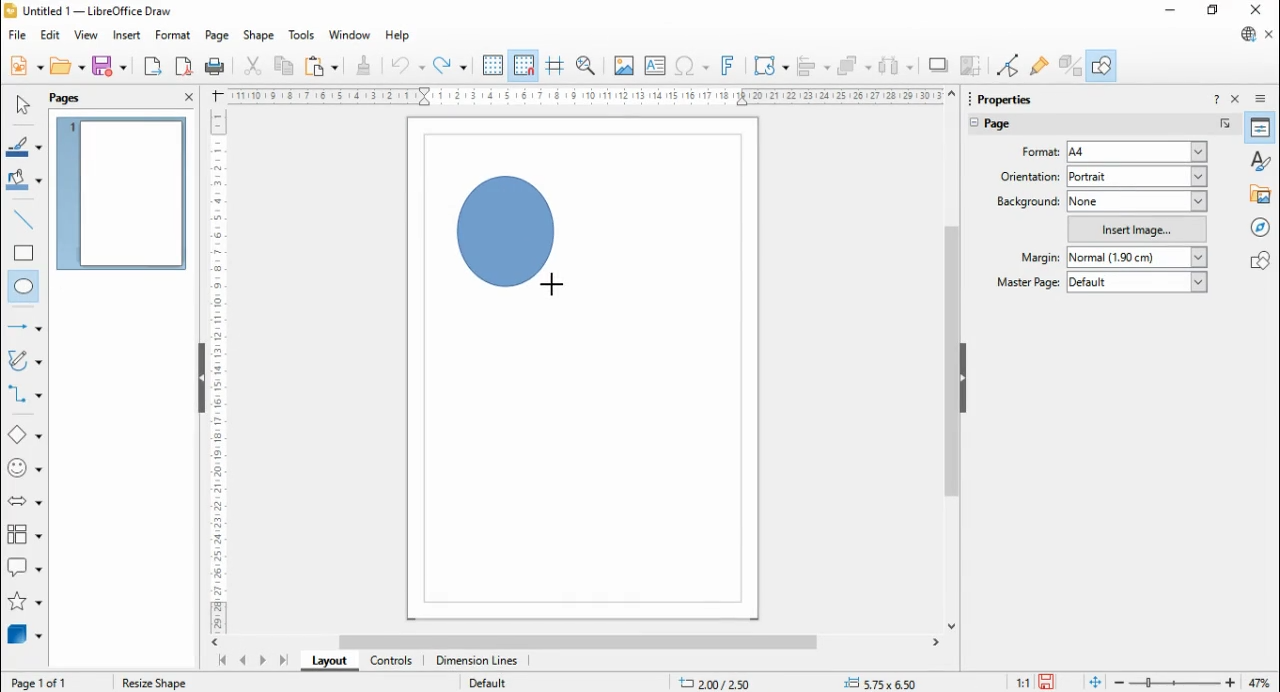 The image size is (1280, 692). I want to click on insert line, so click(26, 220).